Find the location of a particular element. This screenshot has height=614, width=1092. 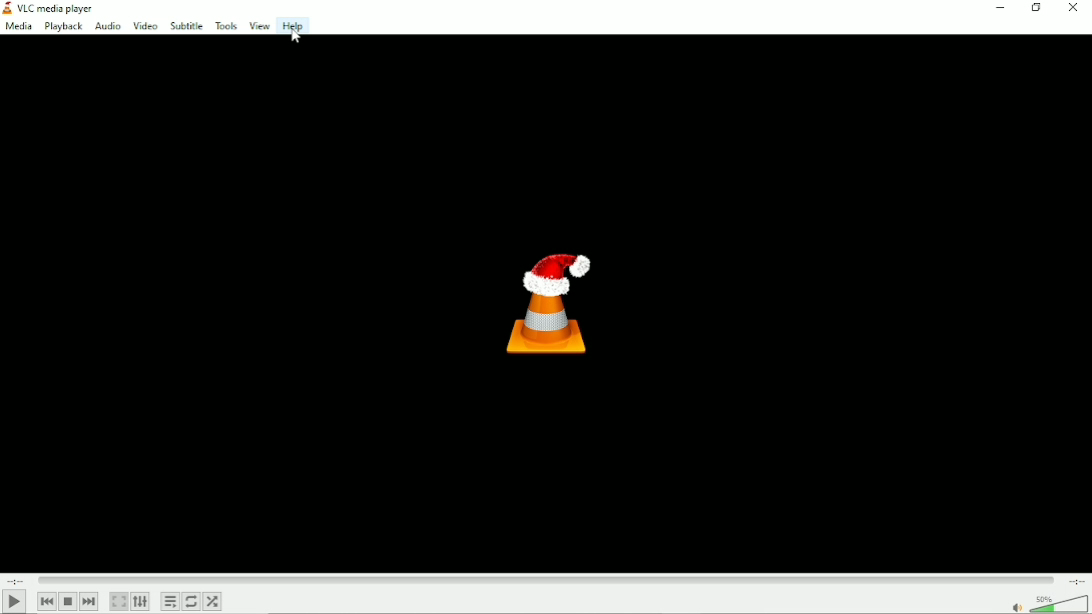

View is located at coordinates (258, 26).